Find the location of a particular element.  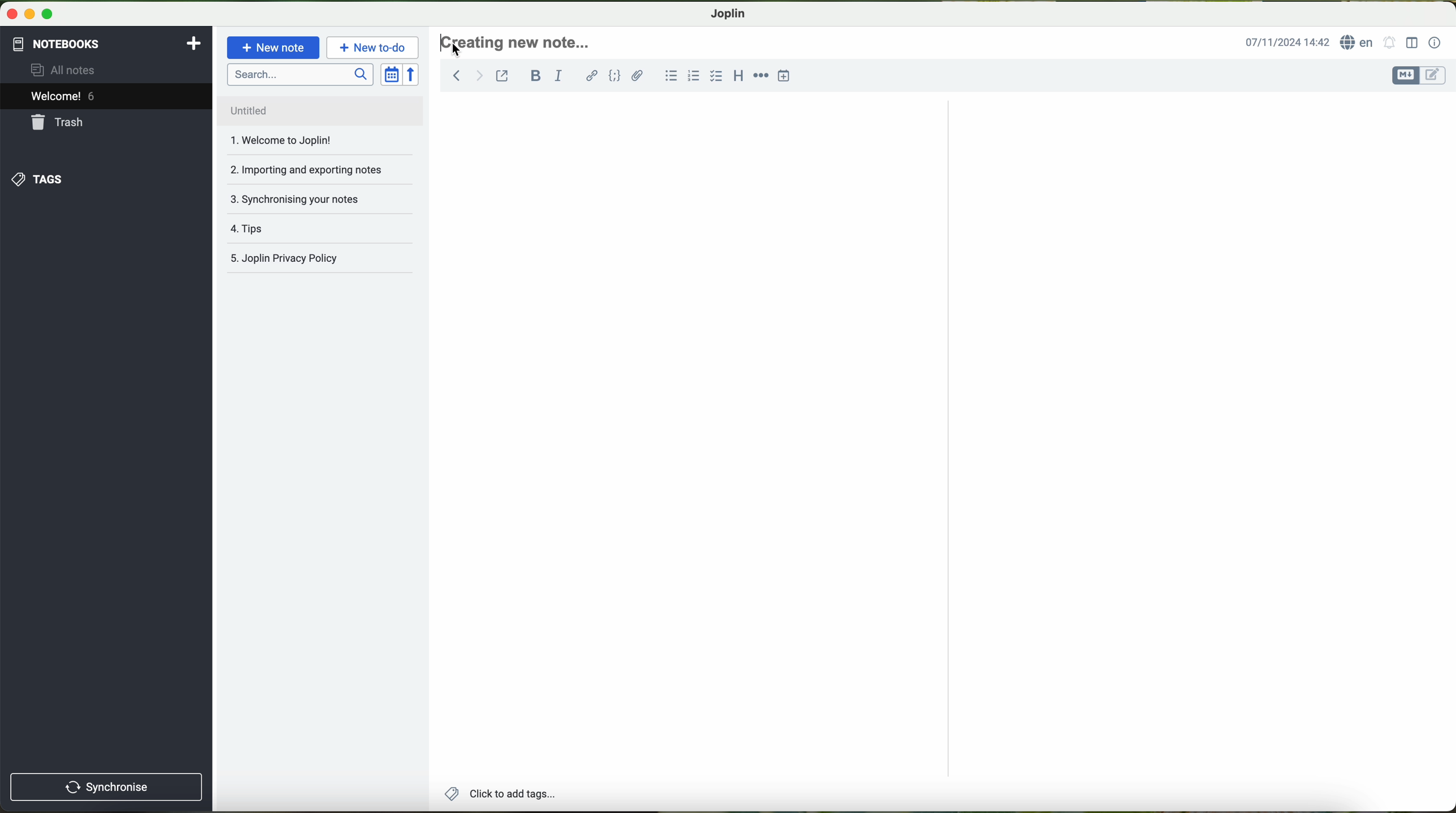

tags is located at coordinates (106, 179).